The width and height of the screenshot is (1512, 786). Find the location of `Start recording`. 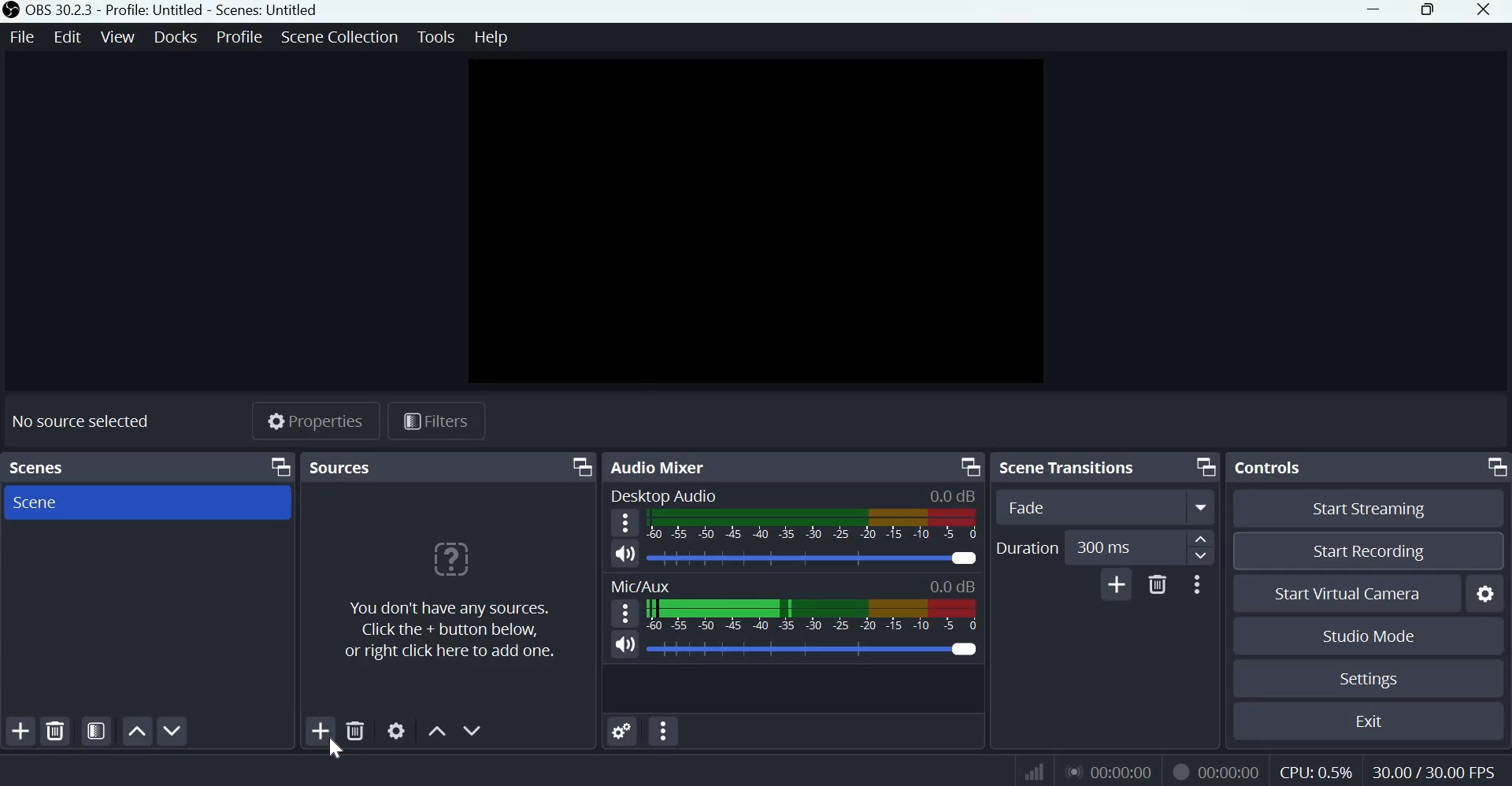

Start recording is located at coordinates (1369, 549).